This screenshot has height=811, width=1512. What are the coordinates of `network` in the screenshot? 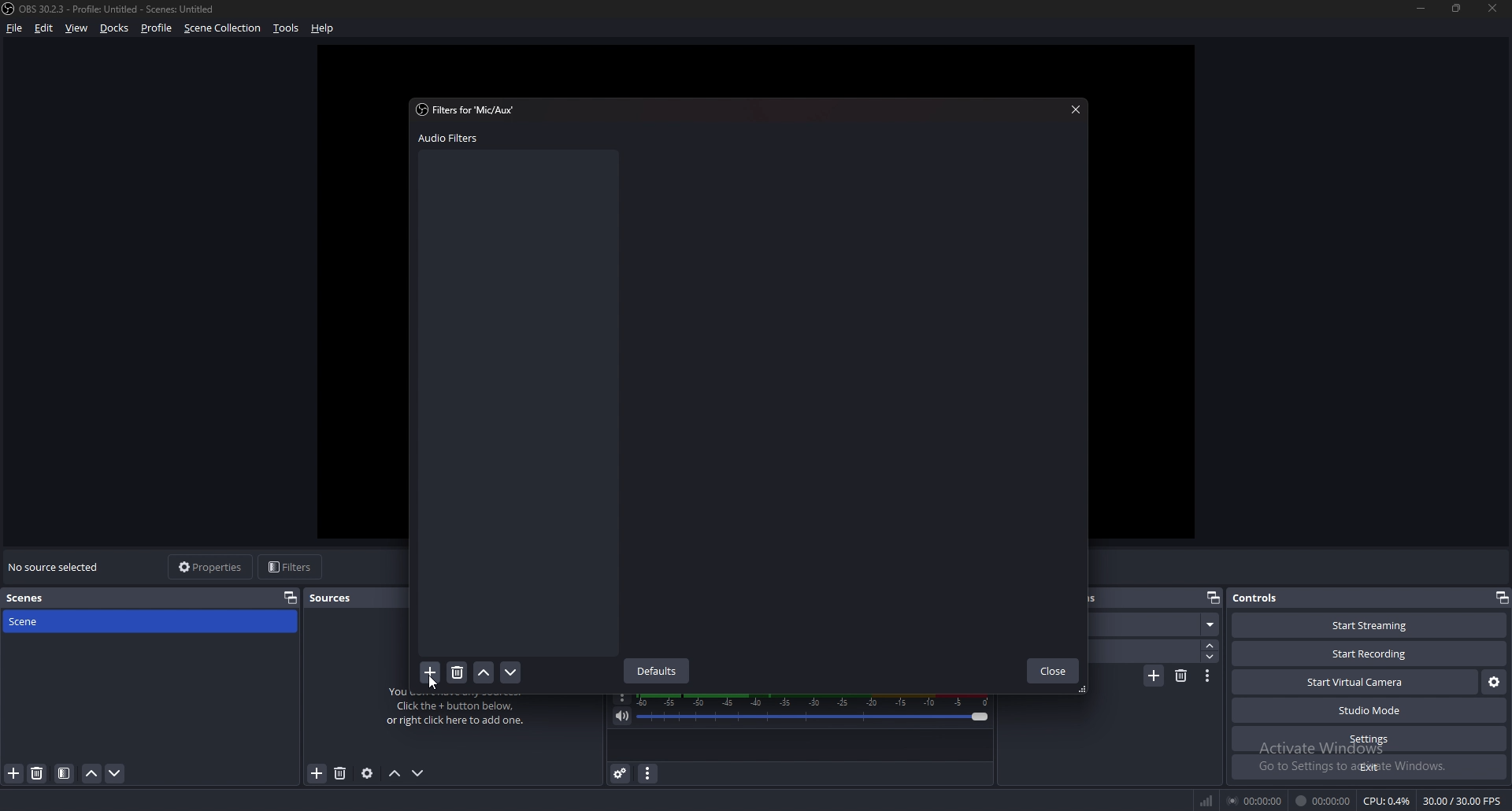 It's located at (1206, 801).